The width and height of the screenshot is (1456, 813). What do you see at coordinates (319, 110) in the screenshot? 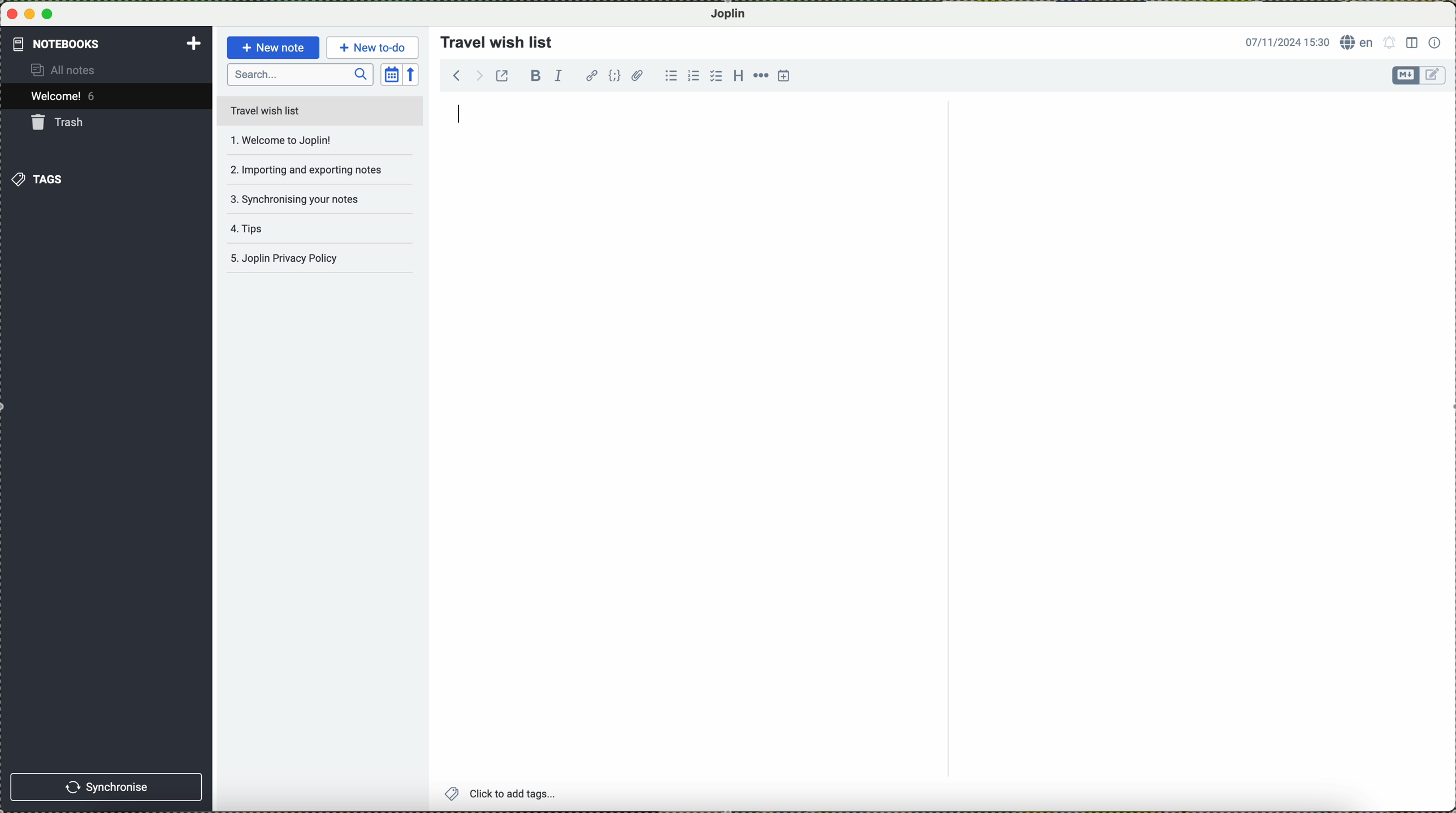
I see `travel wish list file` at bounding box center [319, 110].